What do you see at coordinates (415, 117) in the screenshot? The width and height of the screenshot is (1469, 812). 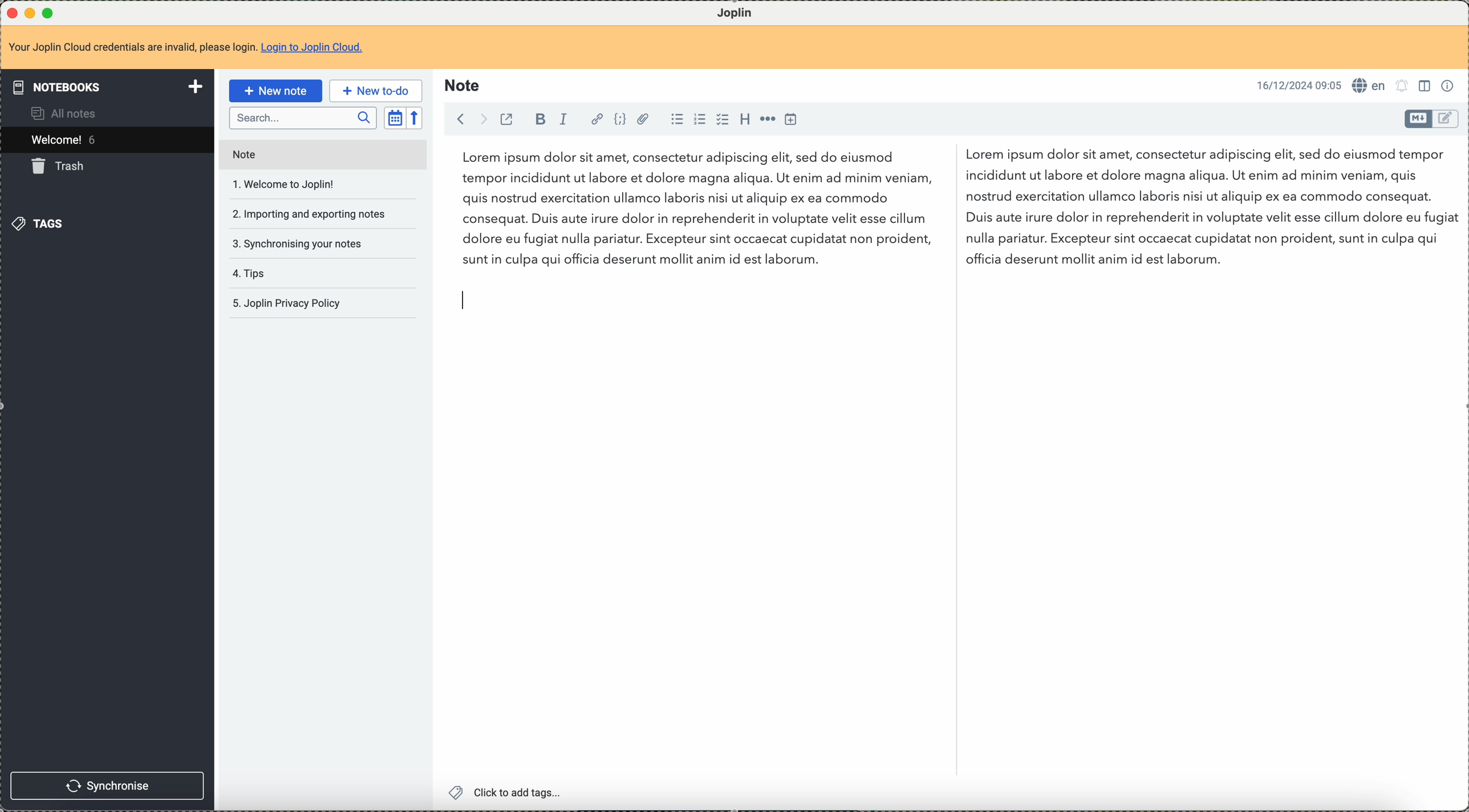 I see `reverse sort order` at bounding box center [415, 117].